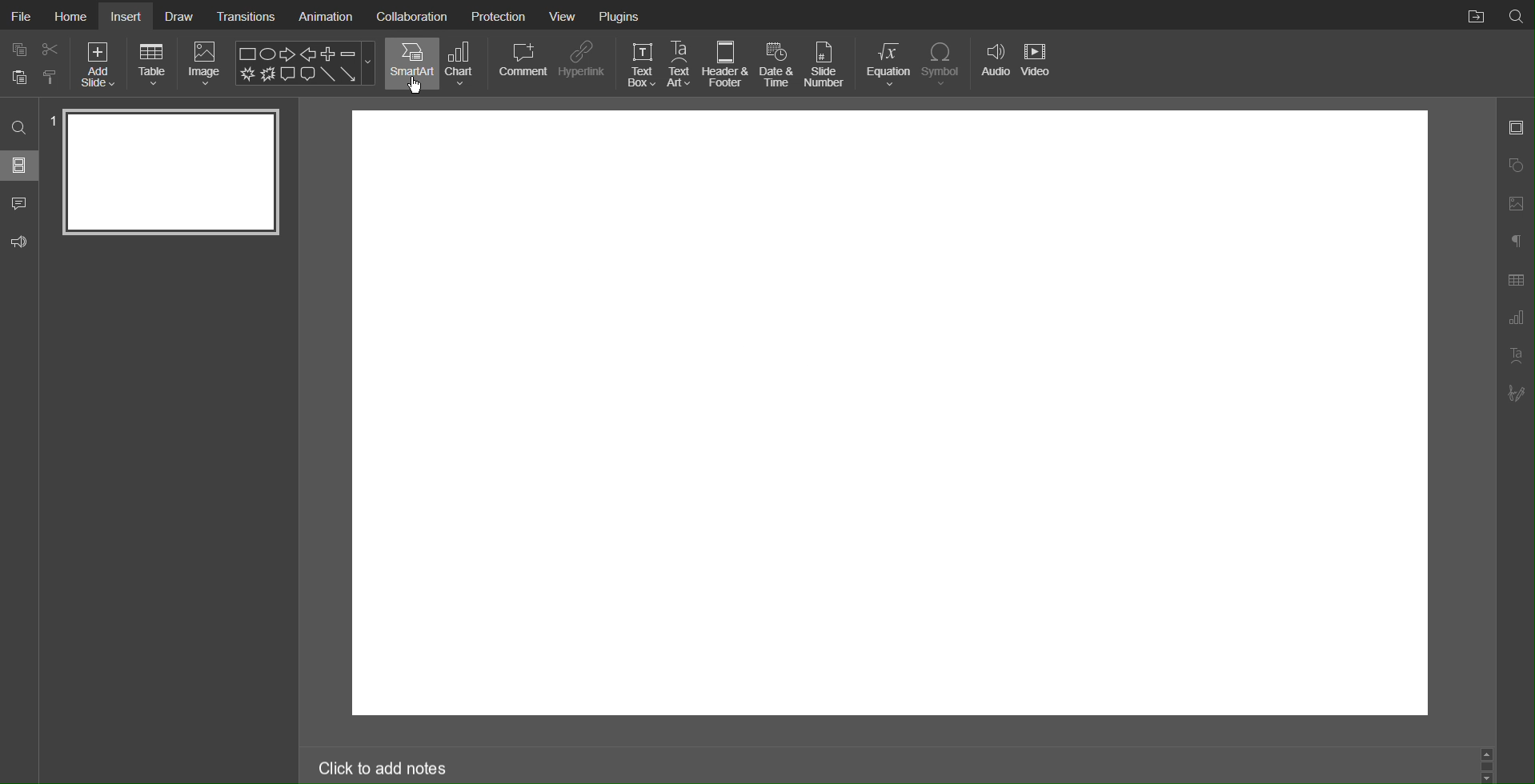  What do you see at coordinates (1516, 242) in the screenshot?
I see `Paragraph Settings` at bounding box center [1516, 242].